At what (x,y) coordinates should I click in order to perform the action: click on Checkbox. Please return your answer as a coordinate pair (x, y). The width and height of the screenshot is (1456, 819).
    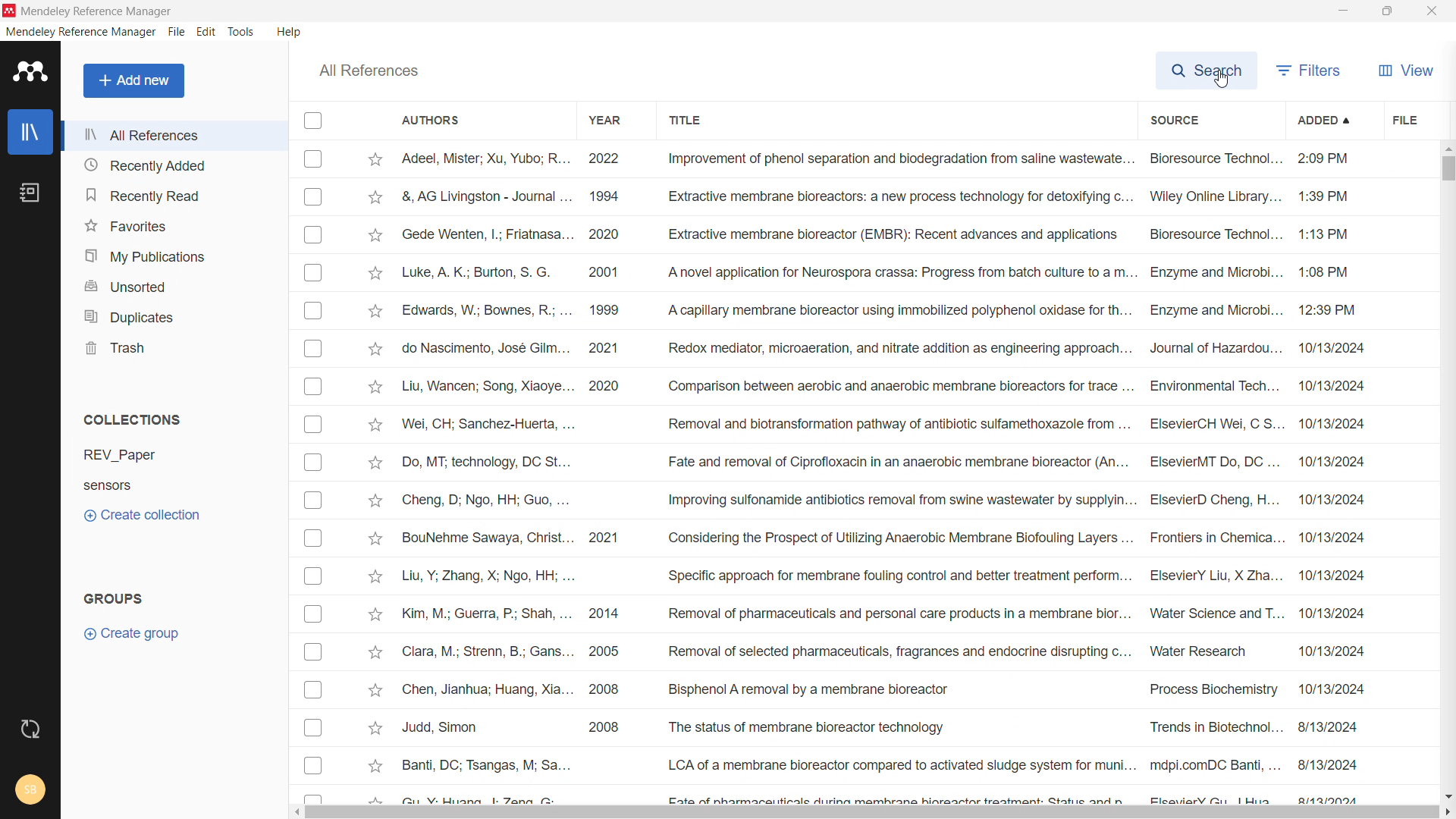
    Looking at the image, I should click on (315, 616).